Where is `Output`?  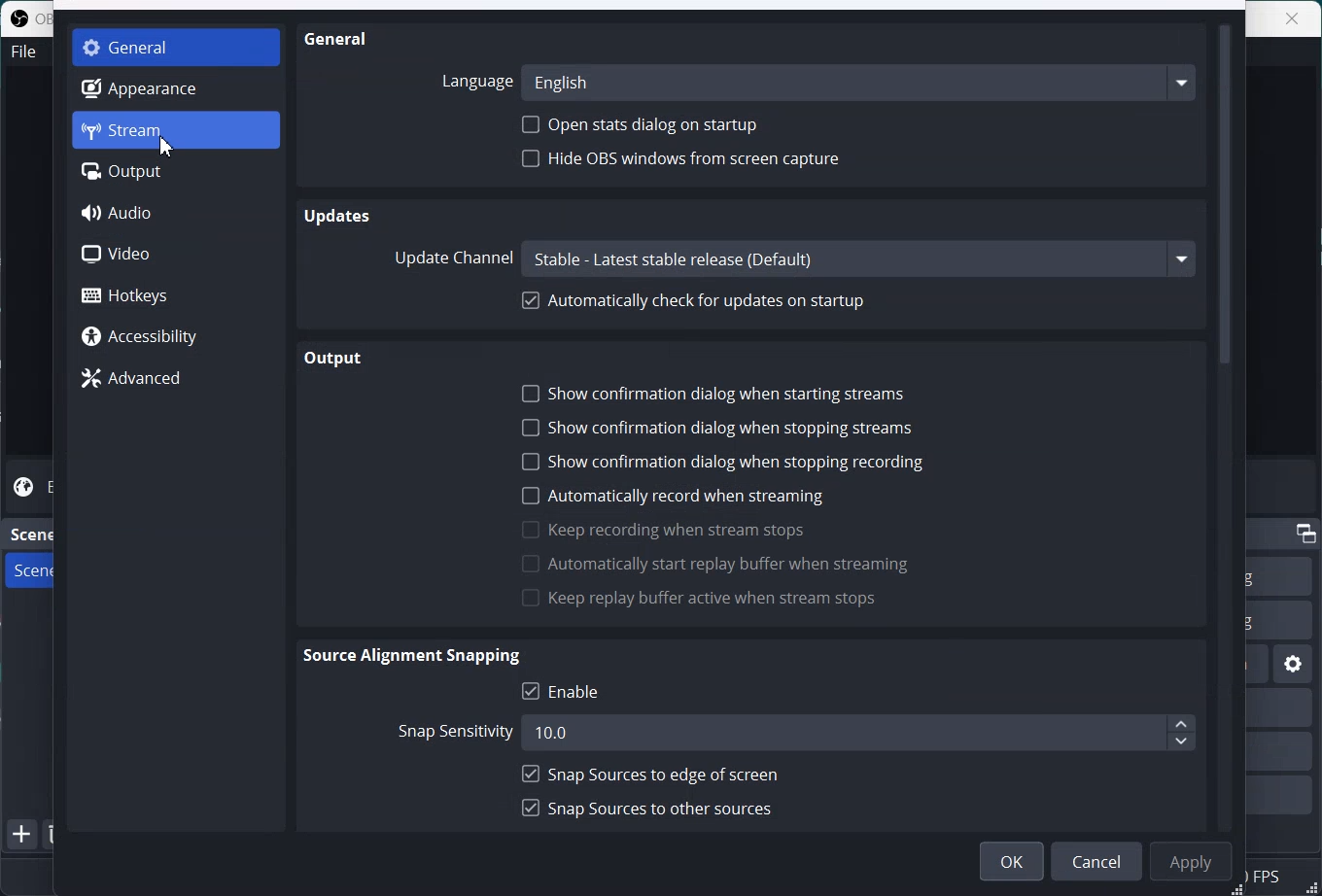
Output is located at coordinates (335, 358).